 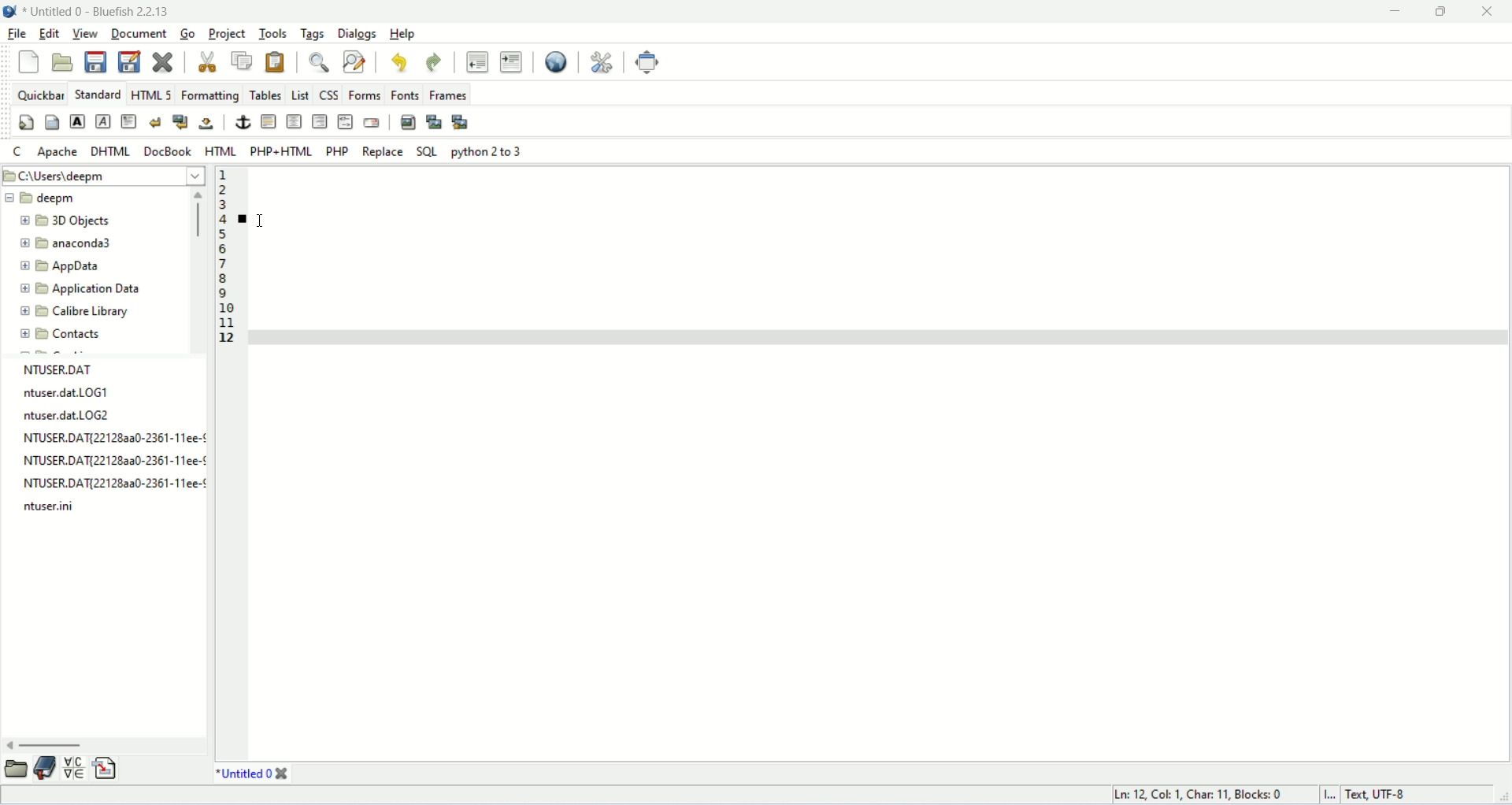 What do you see at coordinates (1332, 796) in the screenshot?
I see `I` at bounding box center [1332, 796].